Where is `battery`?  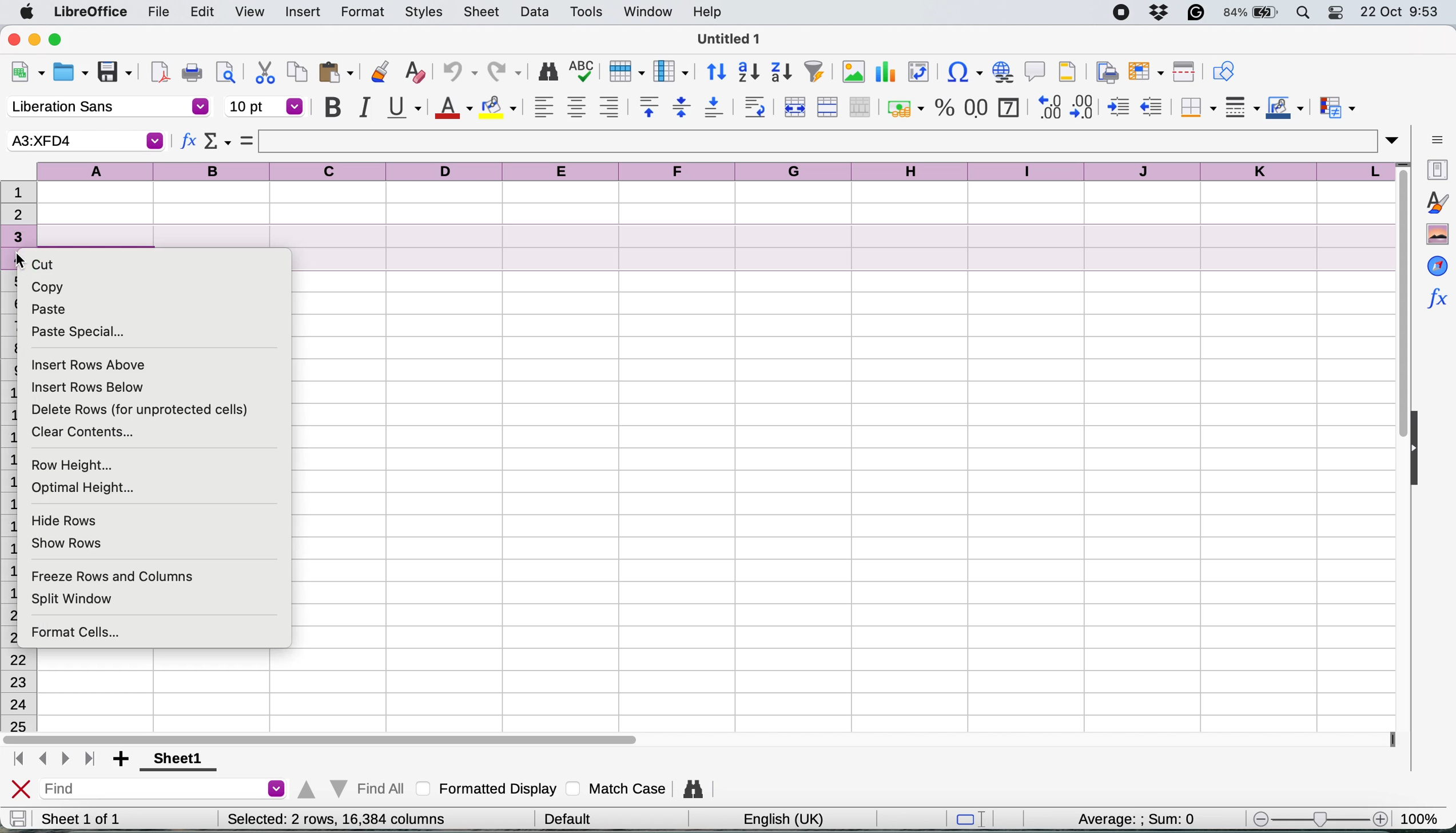
battery is located at coordinates (1252, 13).